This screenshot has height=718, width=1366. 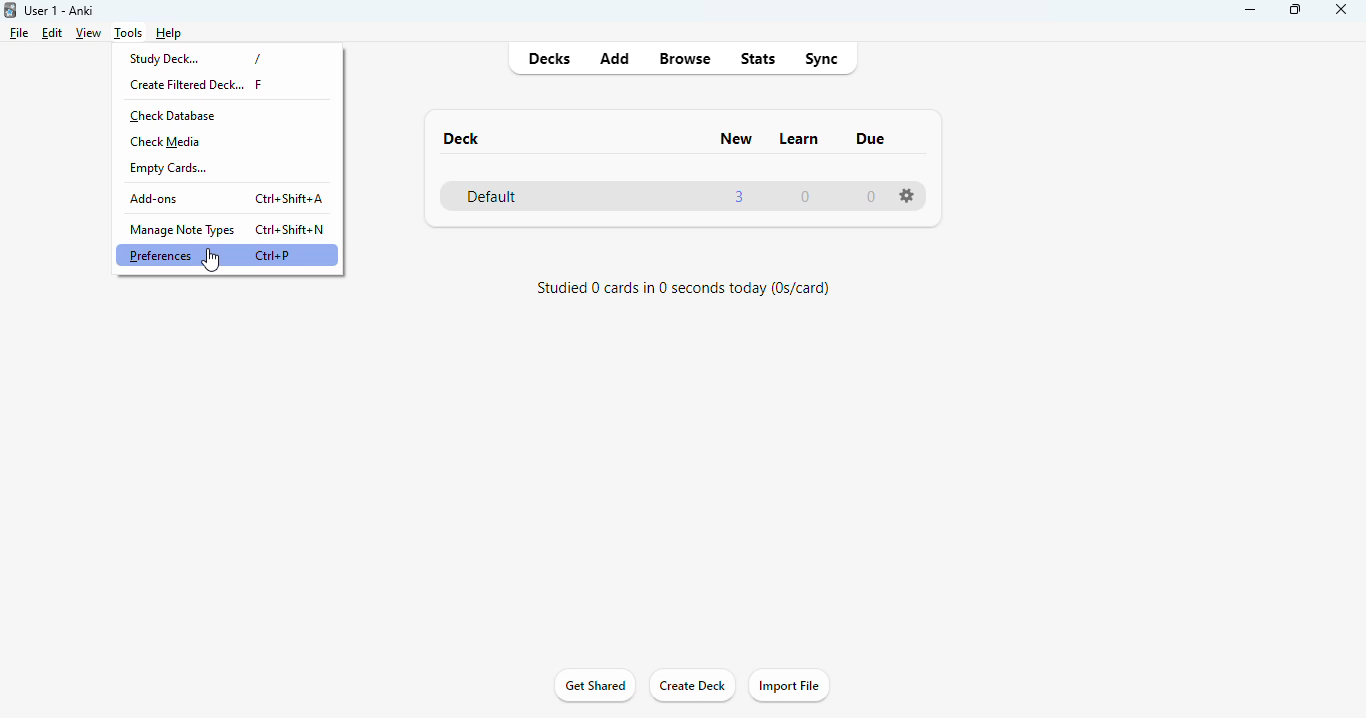 I want to click on Ctrl+ Shift+N, so click(x=289, y=228).